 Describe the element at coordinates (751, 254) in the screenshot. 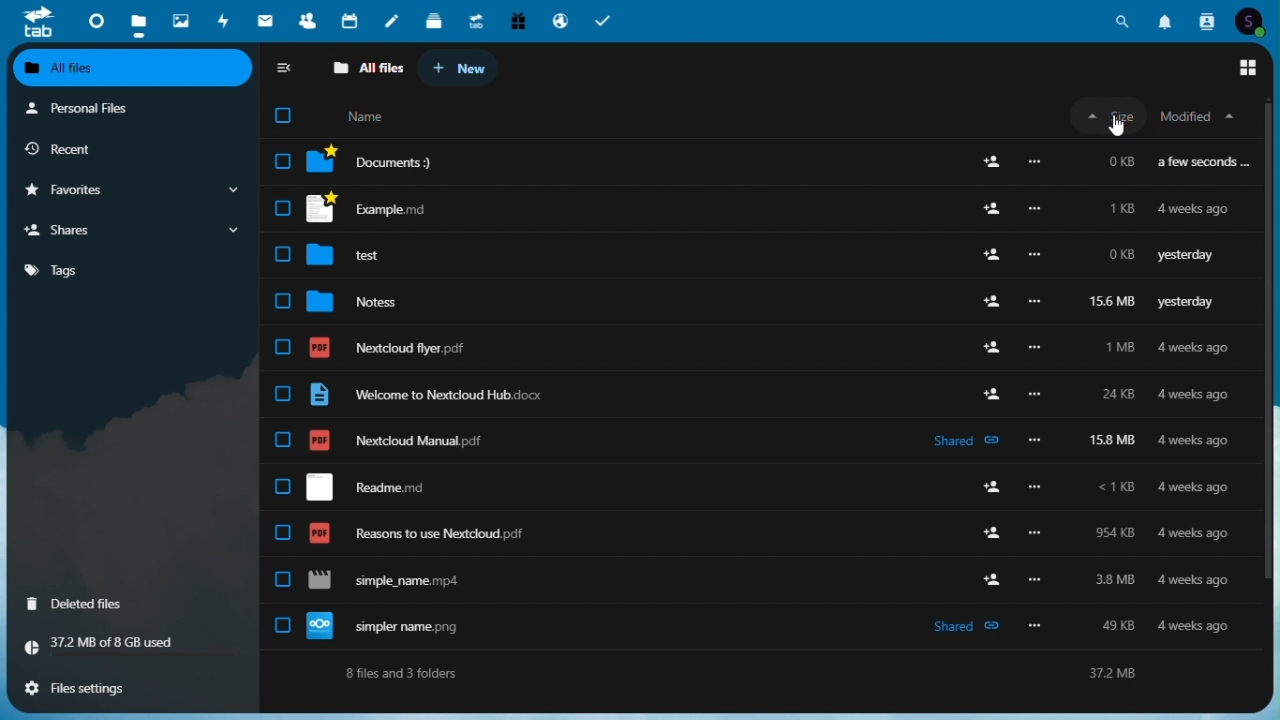

I see `test` at that location.